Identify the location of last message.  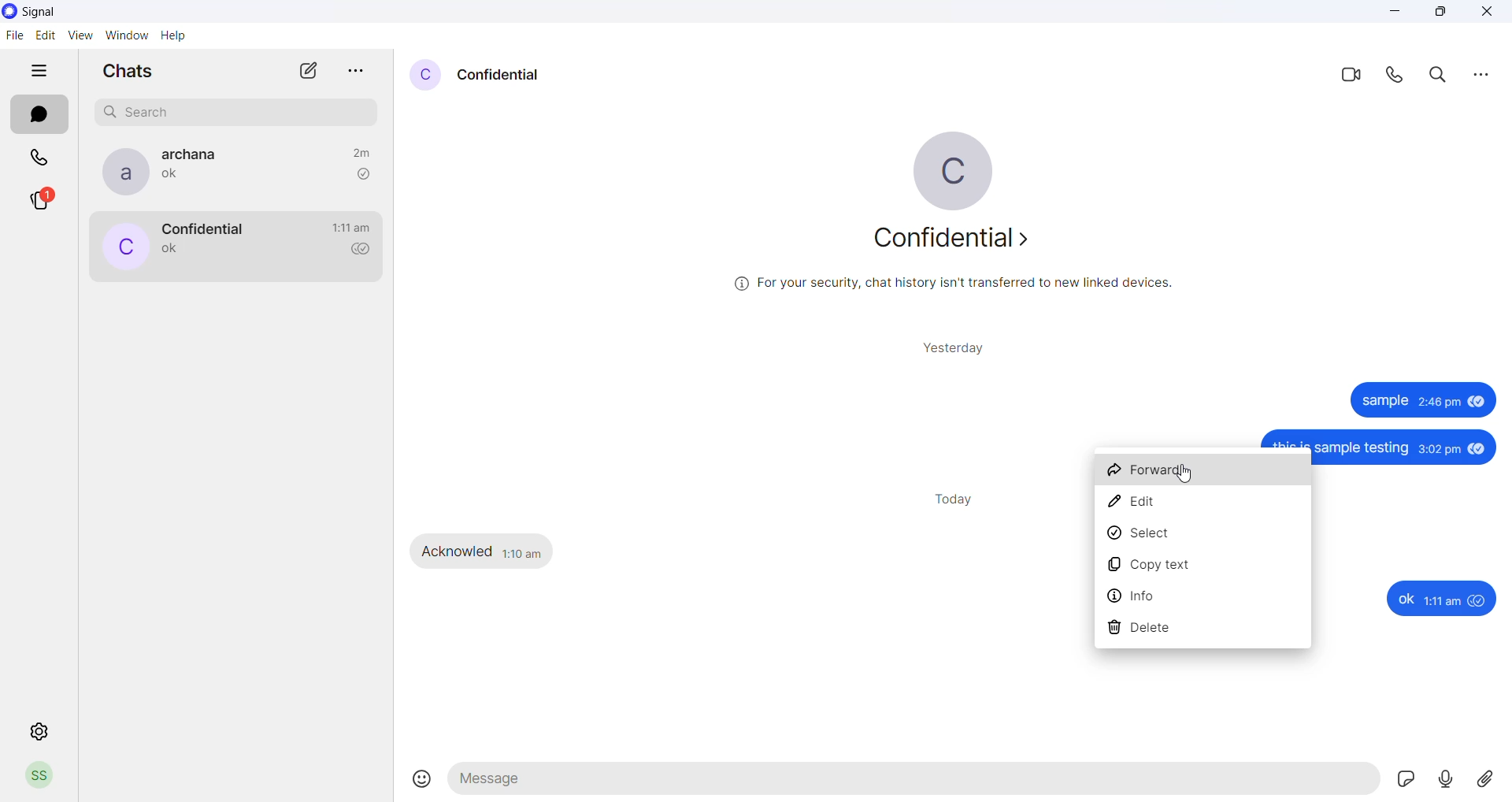
(171, 251).